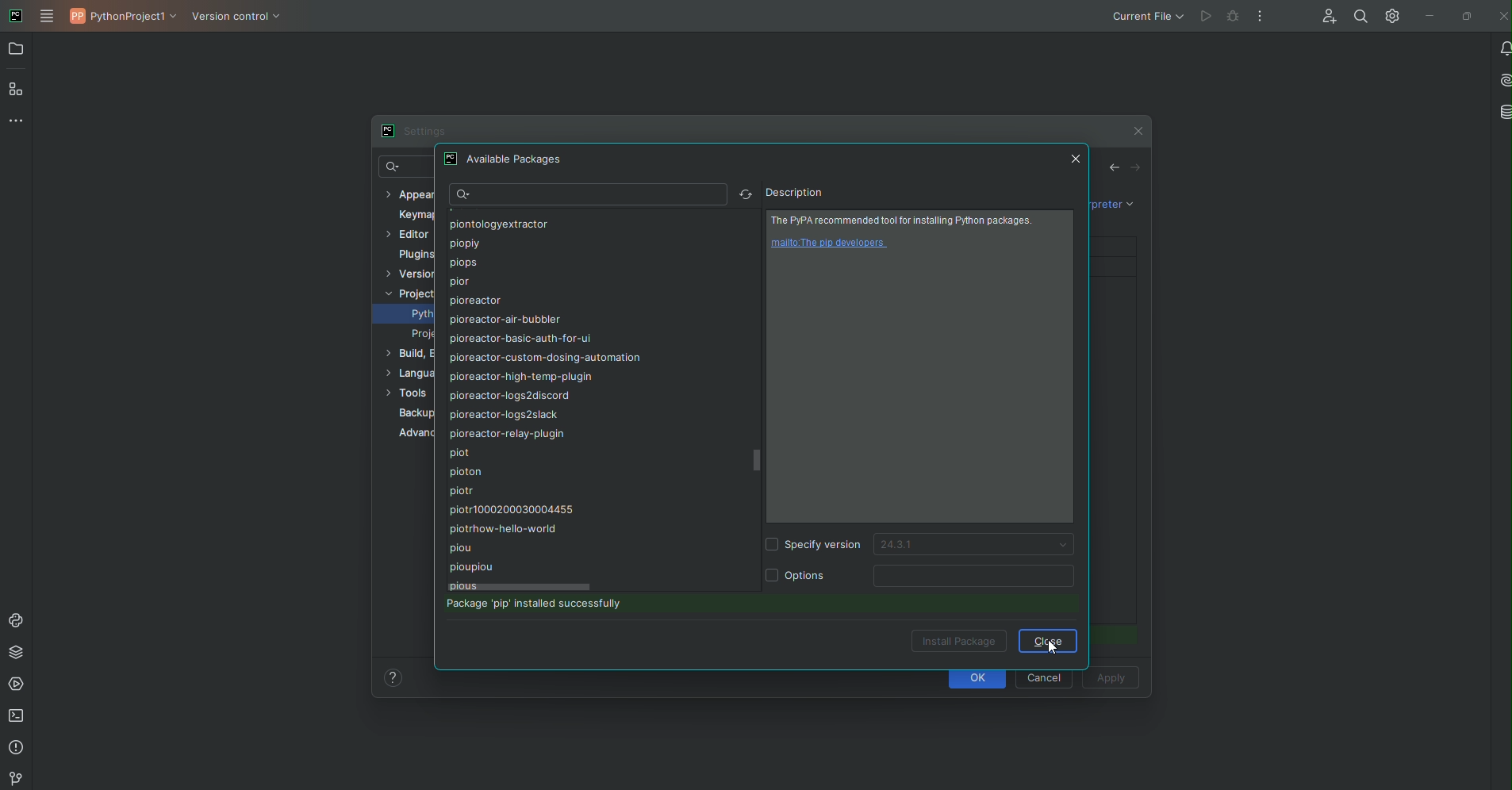  I want to click on Python Interpreter, so click(422, 315).